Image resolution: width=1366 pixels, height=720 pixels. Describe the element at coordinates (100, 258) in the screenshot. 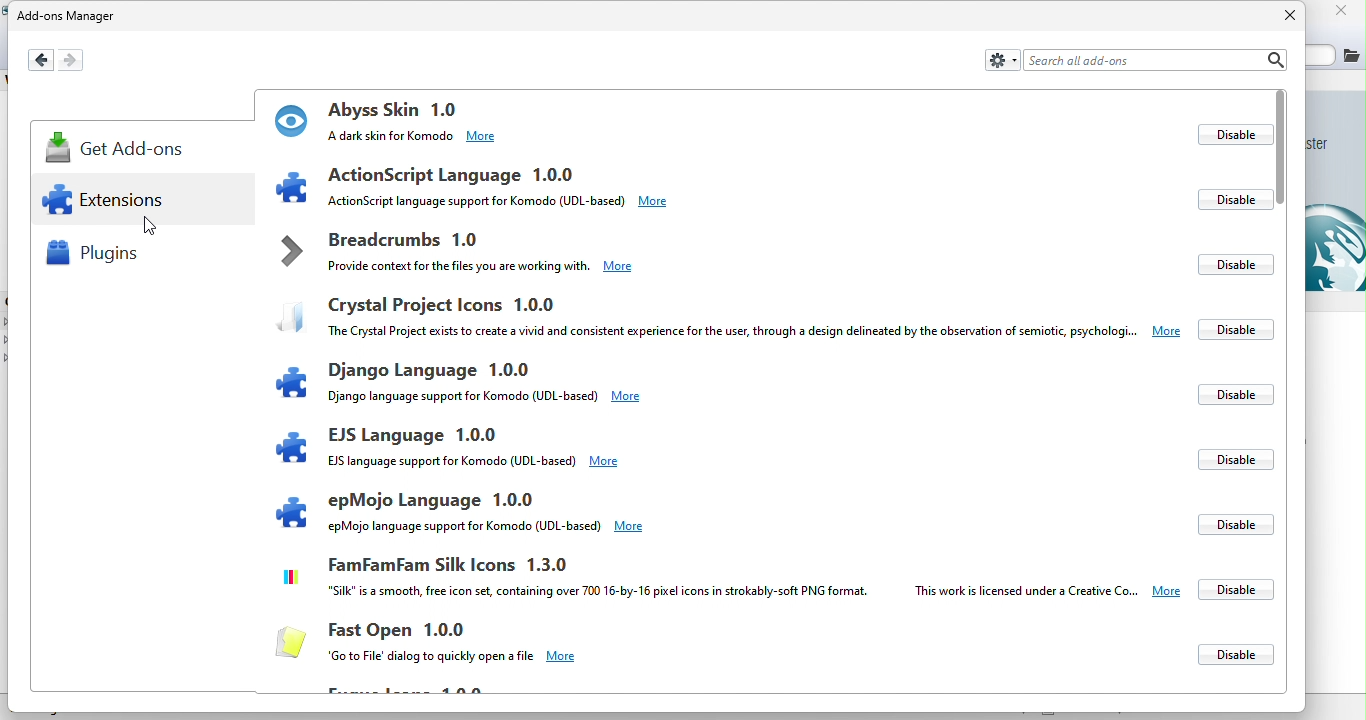

I see `plugins` at that location.